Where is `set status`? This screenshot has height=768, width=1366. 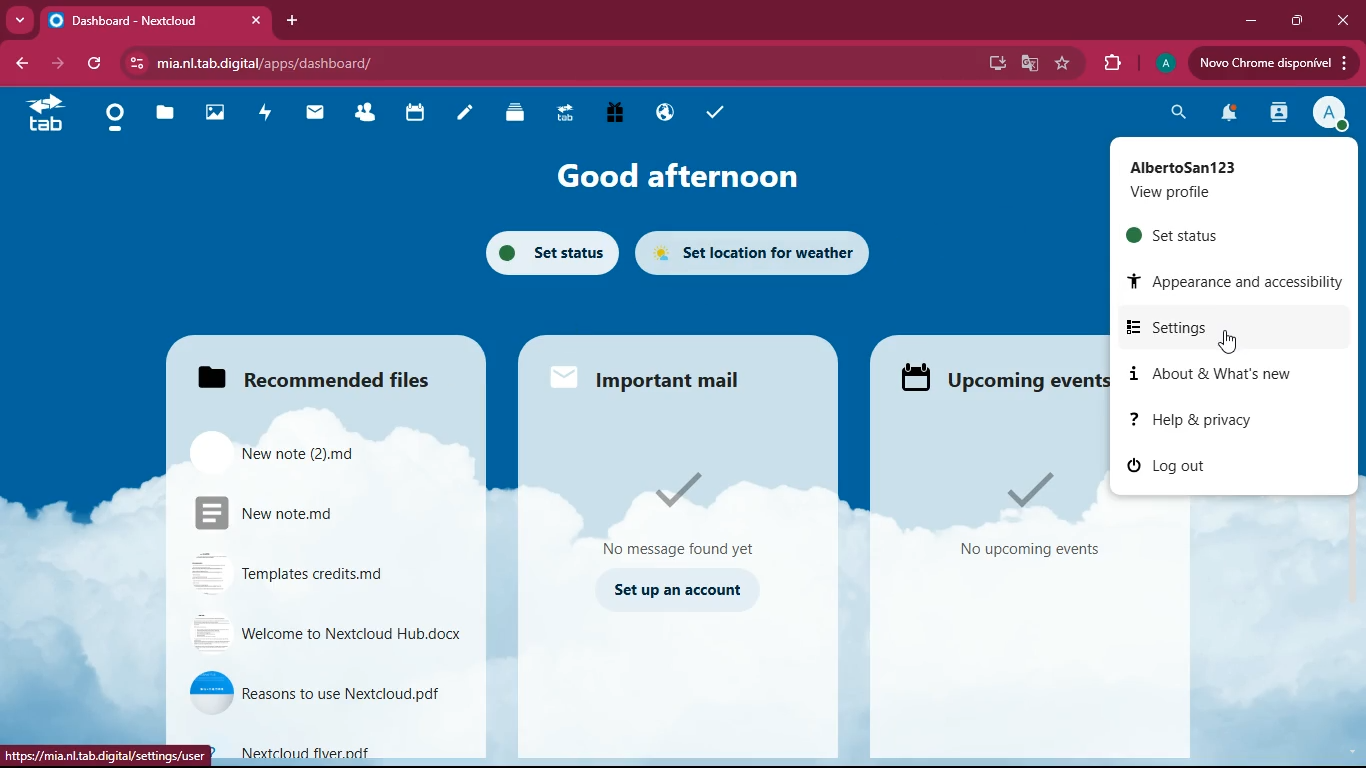
set status is located at coordinates (539, 254).